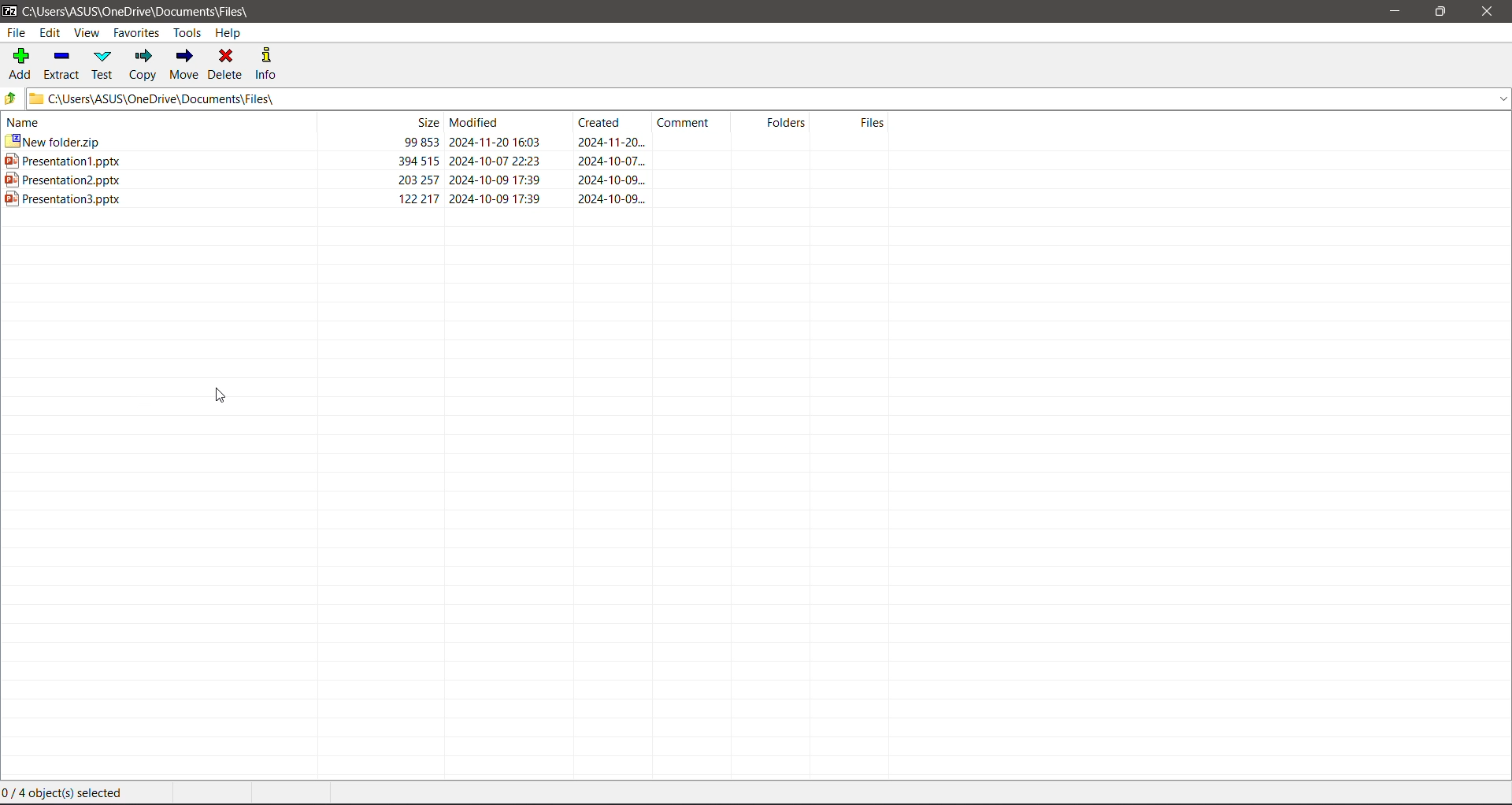 The width and height of the screenshot is (1512, 805). What do you see at coordinates (229, 32) in the screenshot?
I see `Help` at bounding box center [229, 32].